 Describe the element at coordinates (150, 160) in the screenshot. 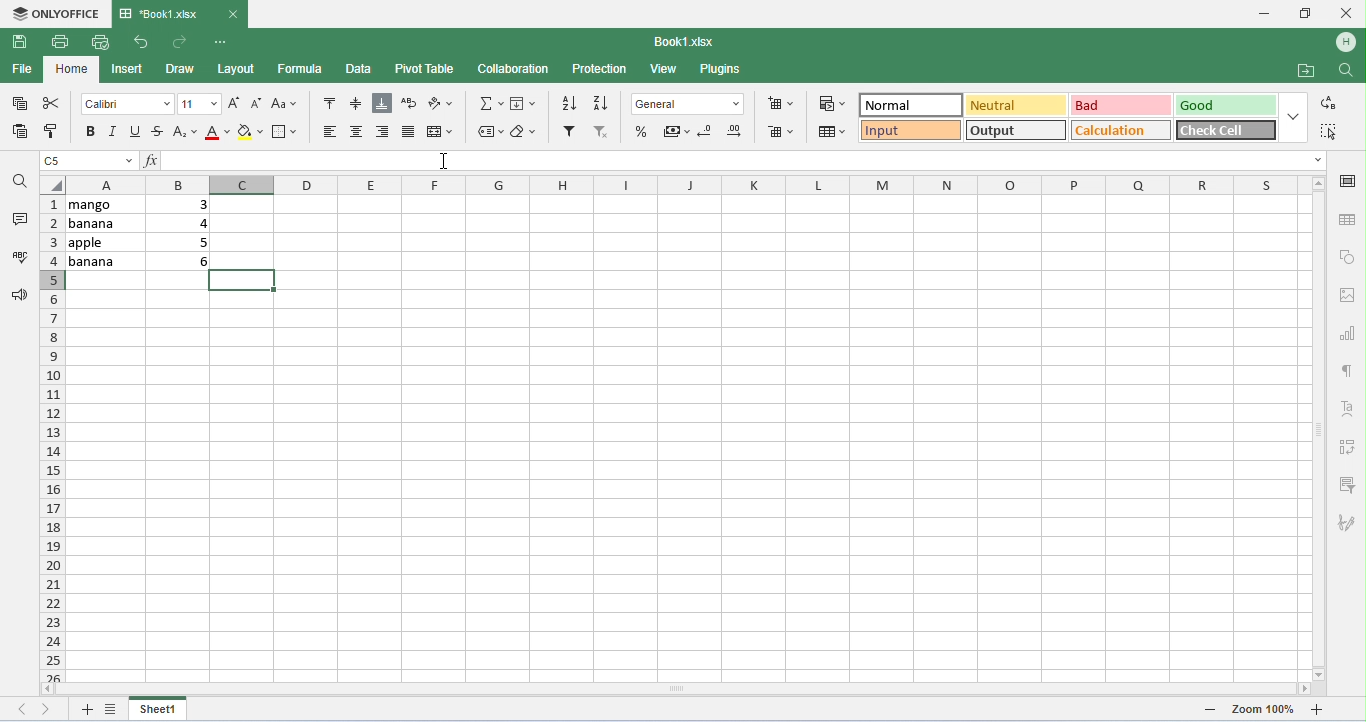

I see `insert function` at that location.